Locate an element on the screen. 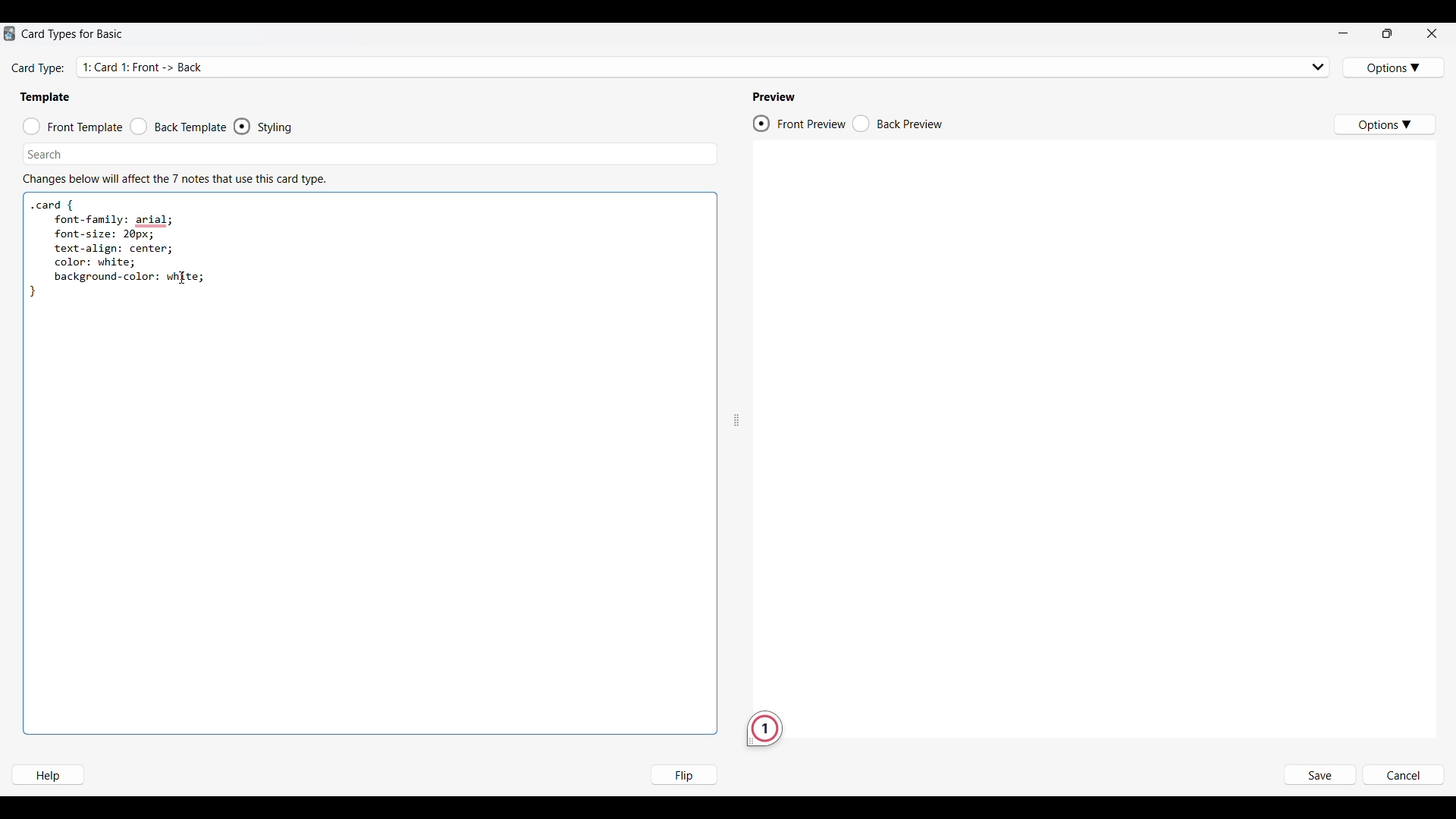  Window name is located at coordinates (74, 34).